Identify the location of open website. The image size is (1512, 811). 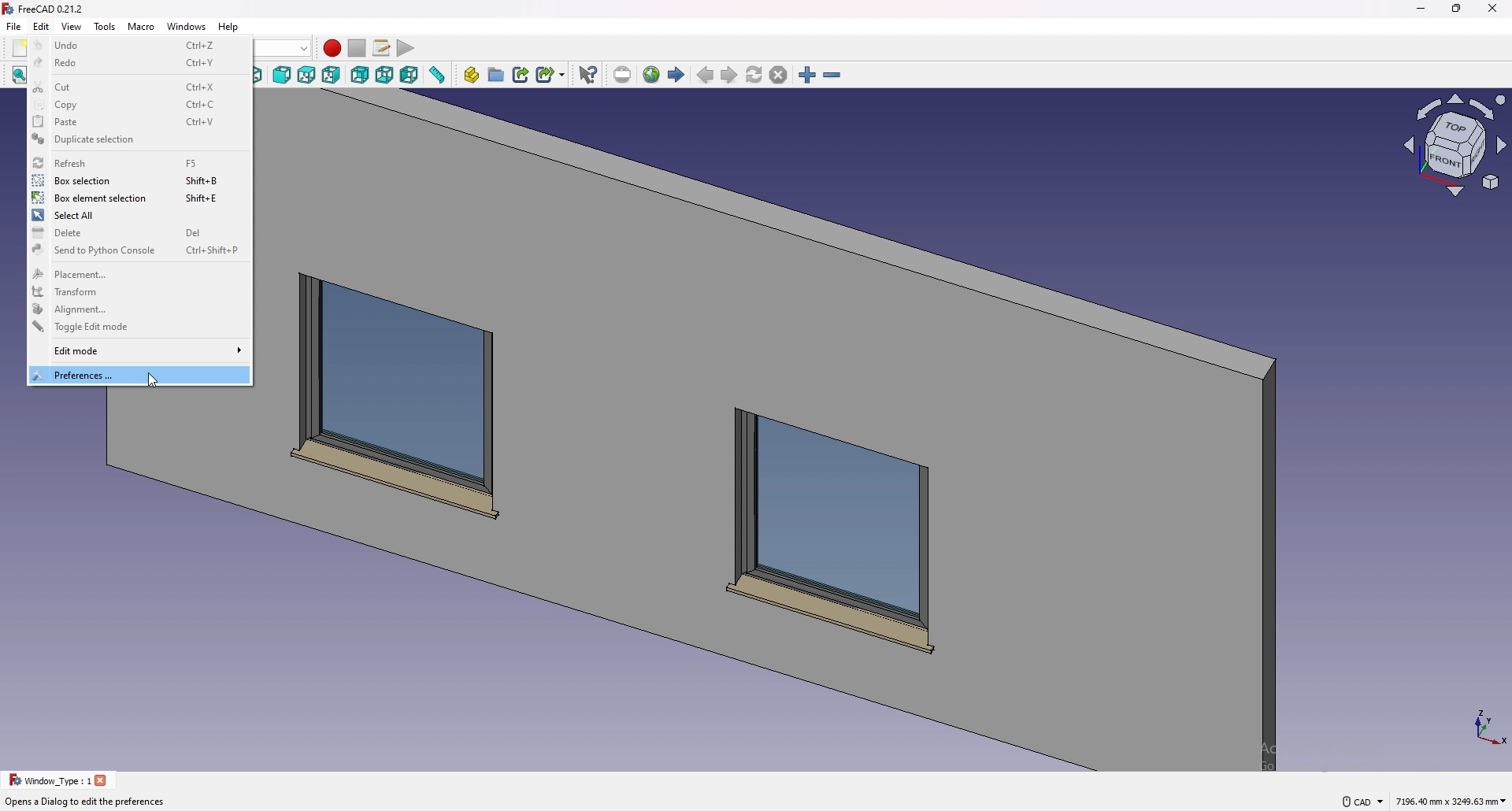
(653, 75).